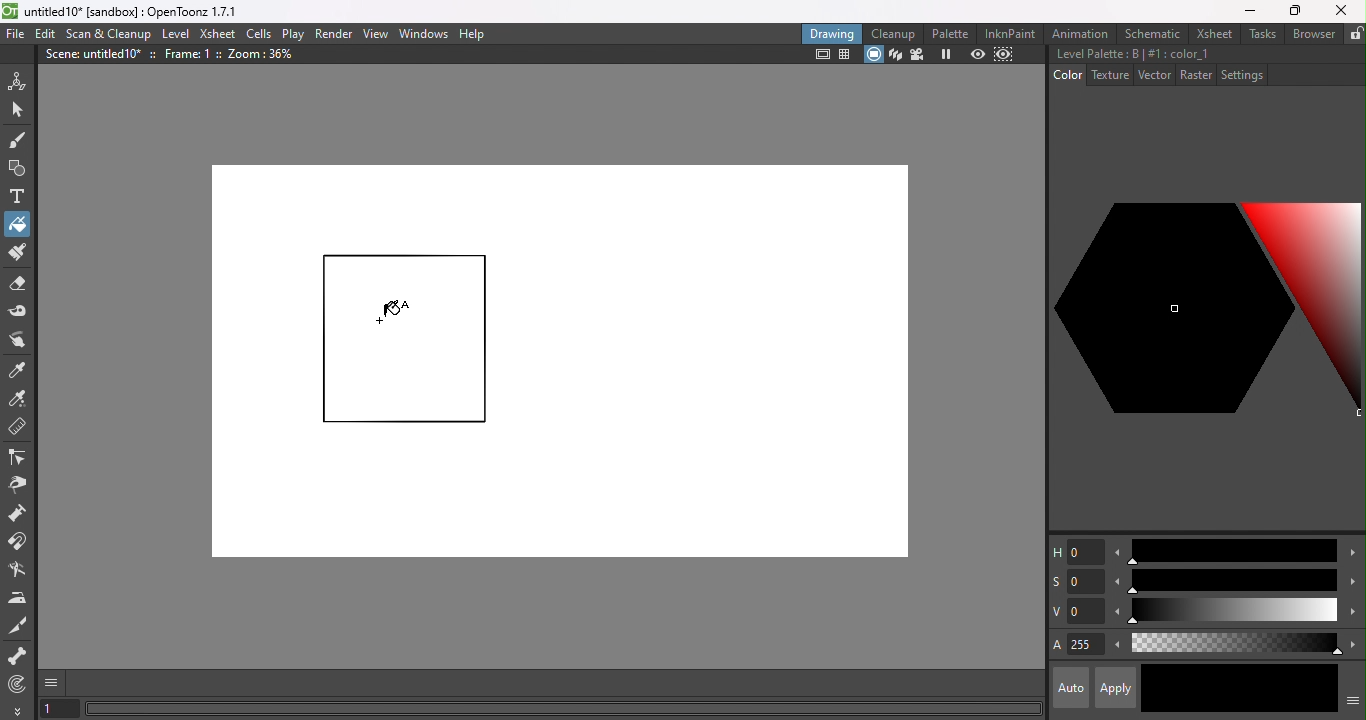  I want to click on Return to previous style, so click(1286, 689).